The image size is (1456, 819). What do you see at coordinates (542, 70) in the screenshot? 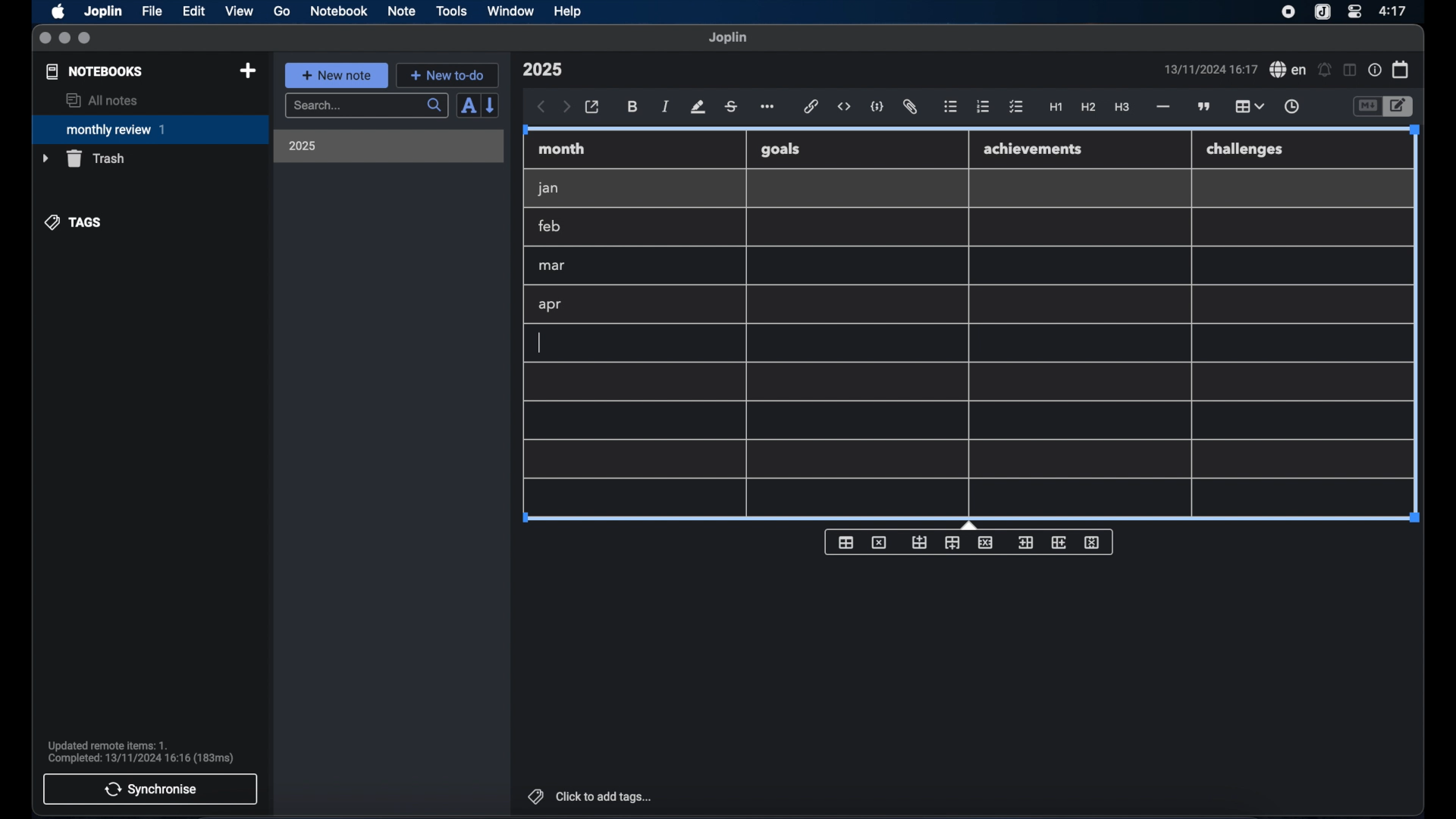
I see `note title` at bounding box center [542, 70].